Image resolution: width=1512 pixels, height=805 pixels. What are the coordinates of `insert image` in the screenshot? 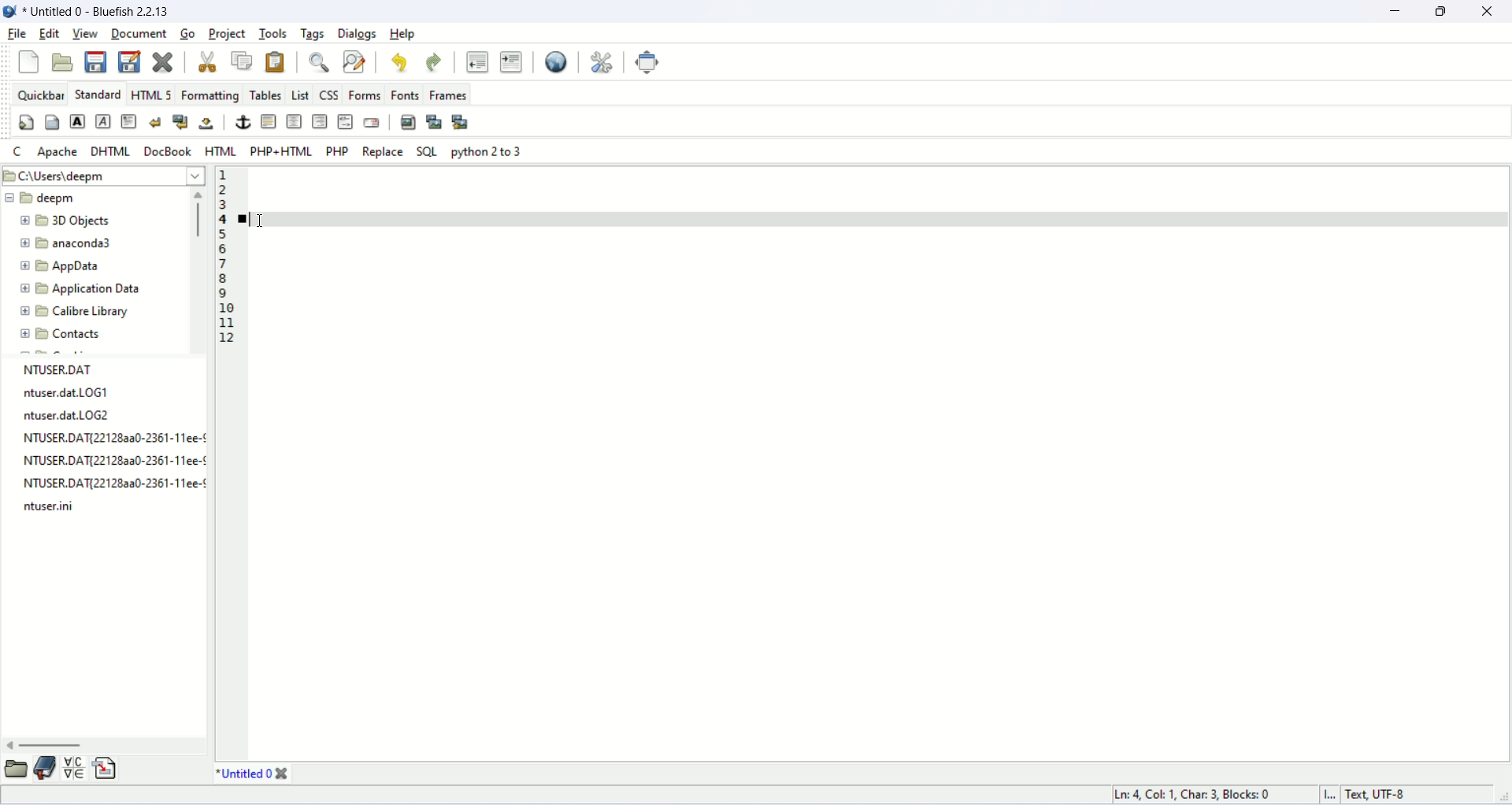 It's located at (409, 123).